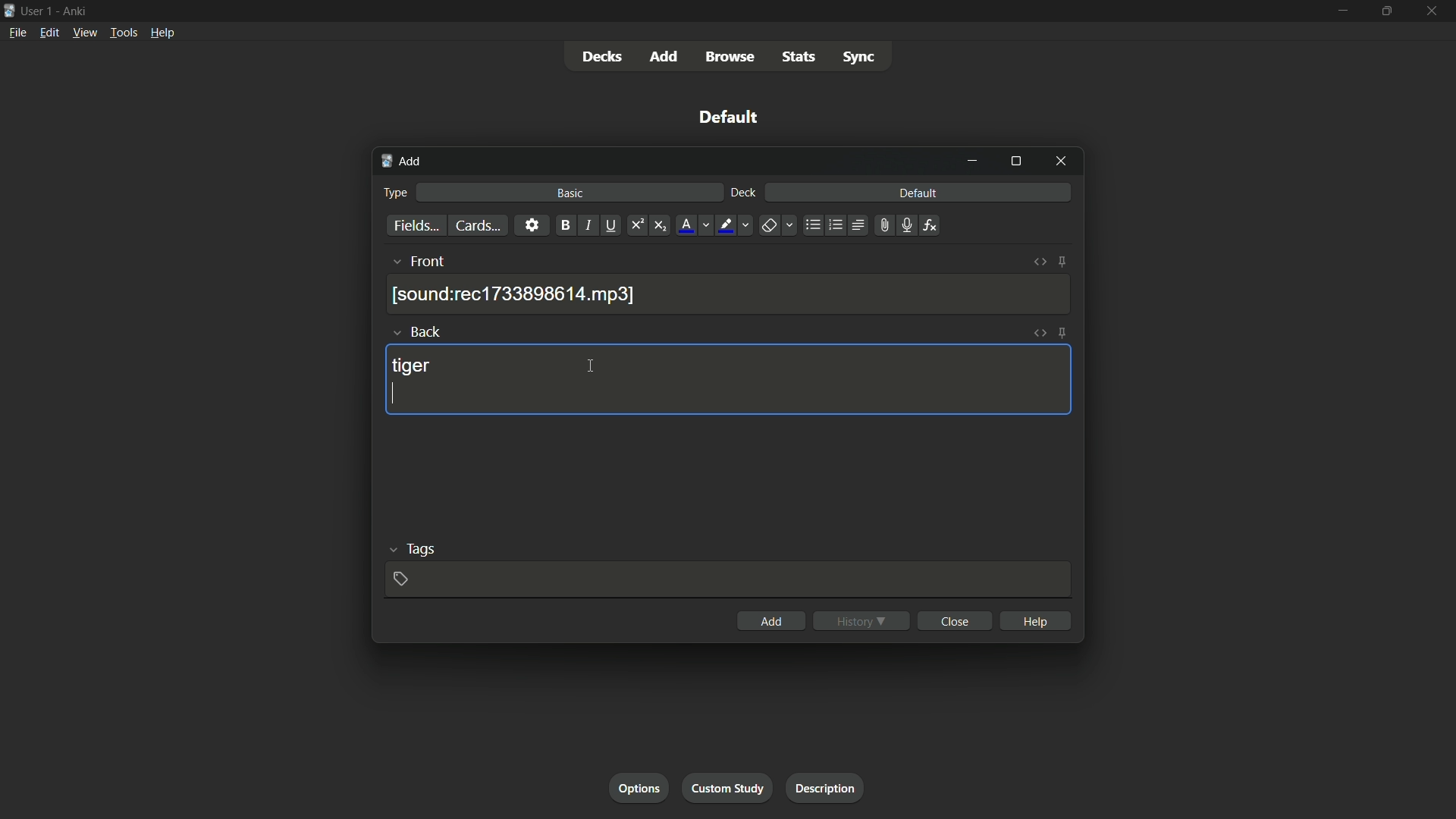  Describe the element at coordinates (826, 788) in the screenshot. I see `description` at that location.